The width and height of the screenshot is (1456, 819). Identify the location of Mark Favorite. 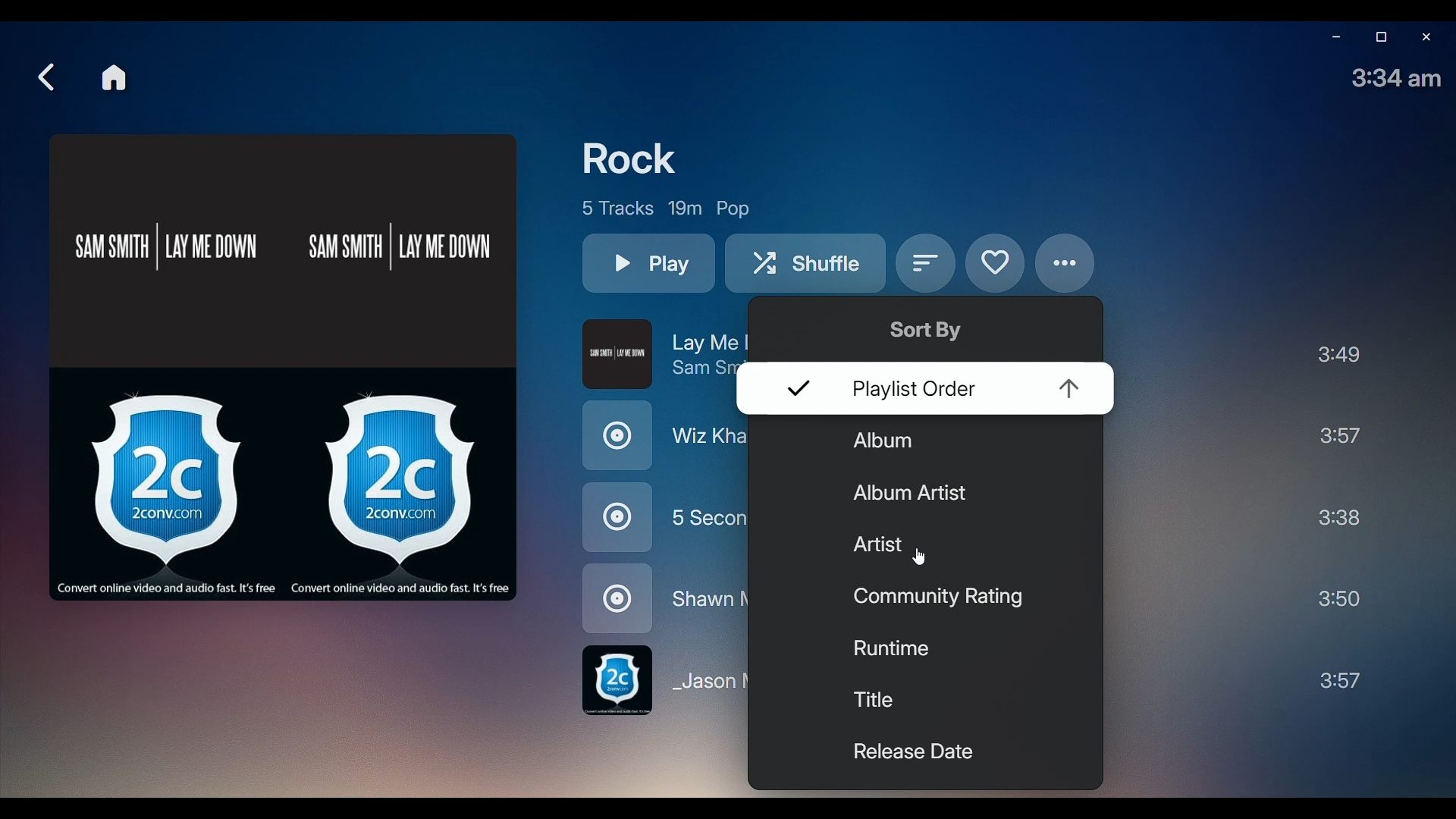
(993, 263).